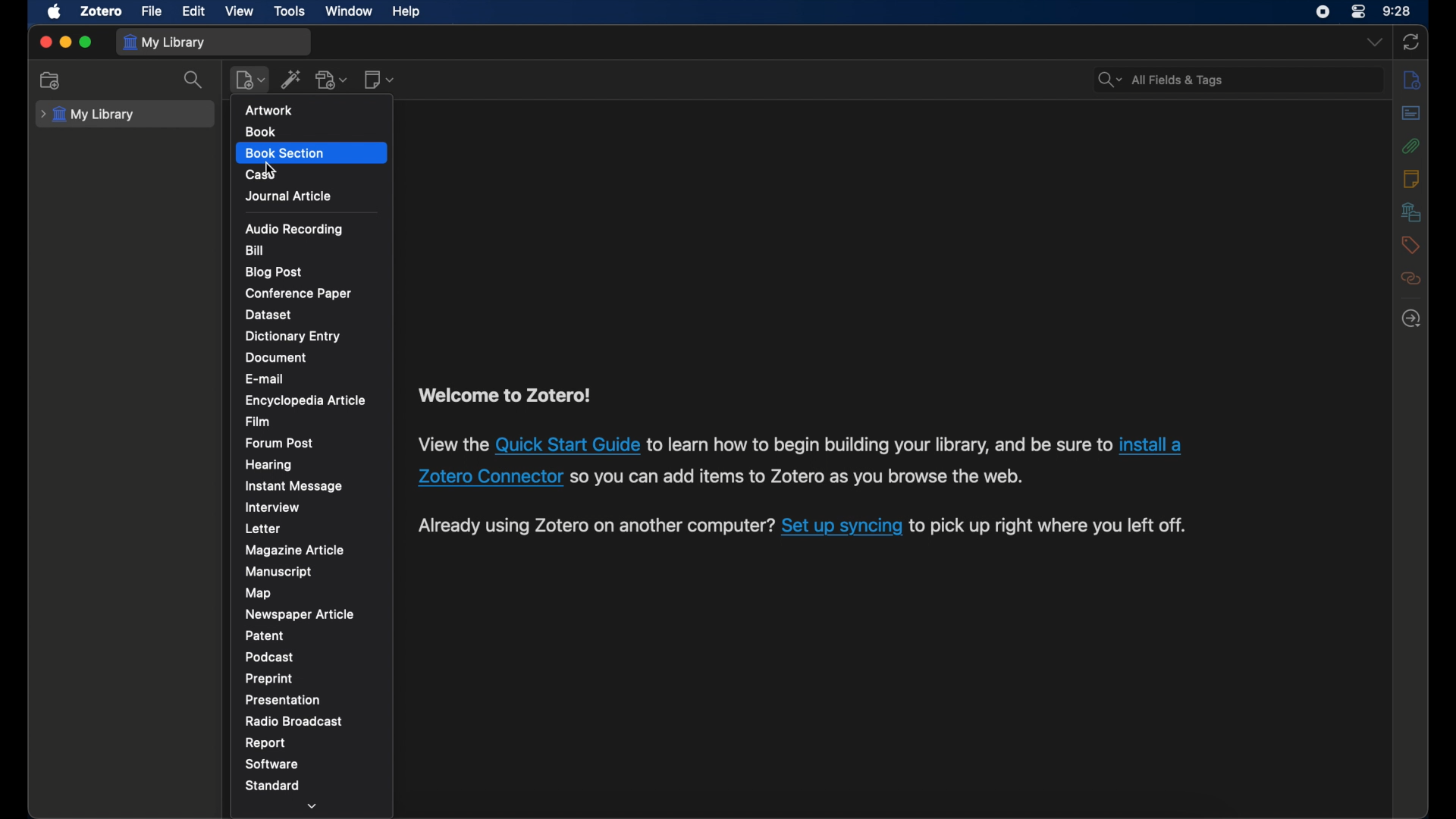 The image size is (1456, 819). I want to click on film, so click(258, 422).